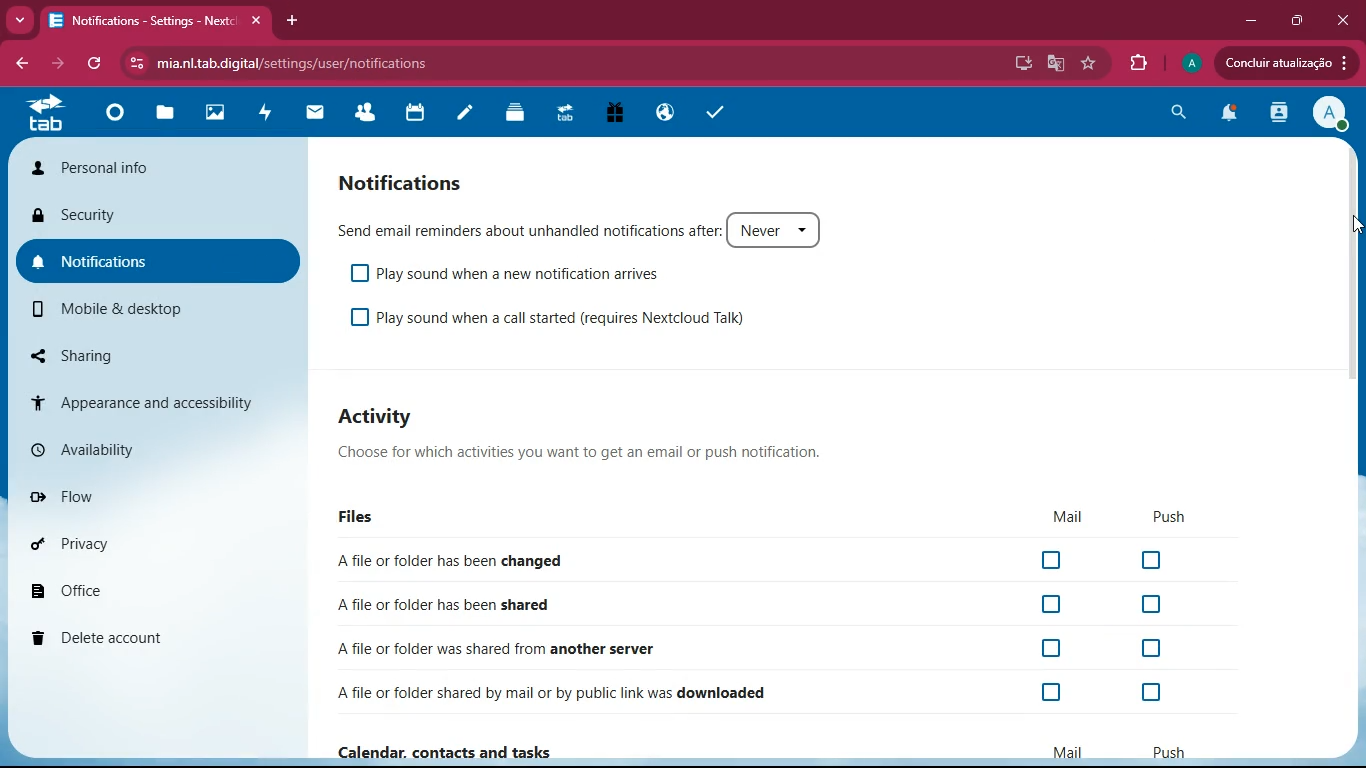  What do you see at coordinates (664, 113) in the screenshot?
I see `public` at bounding box center [664, 113].